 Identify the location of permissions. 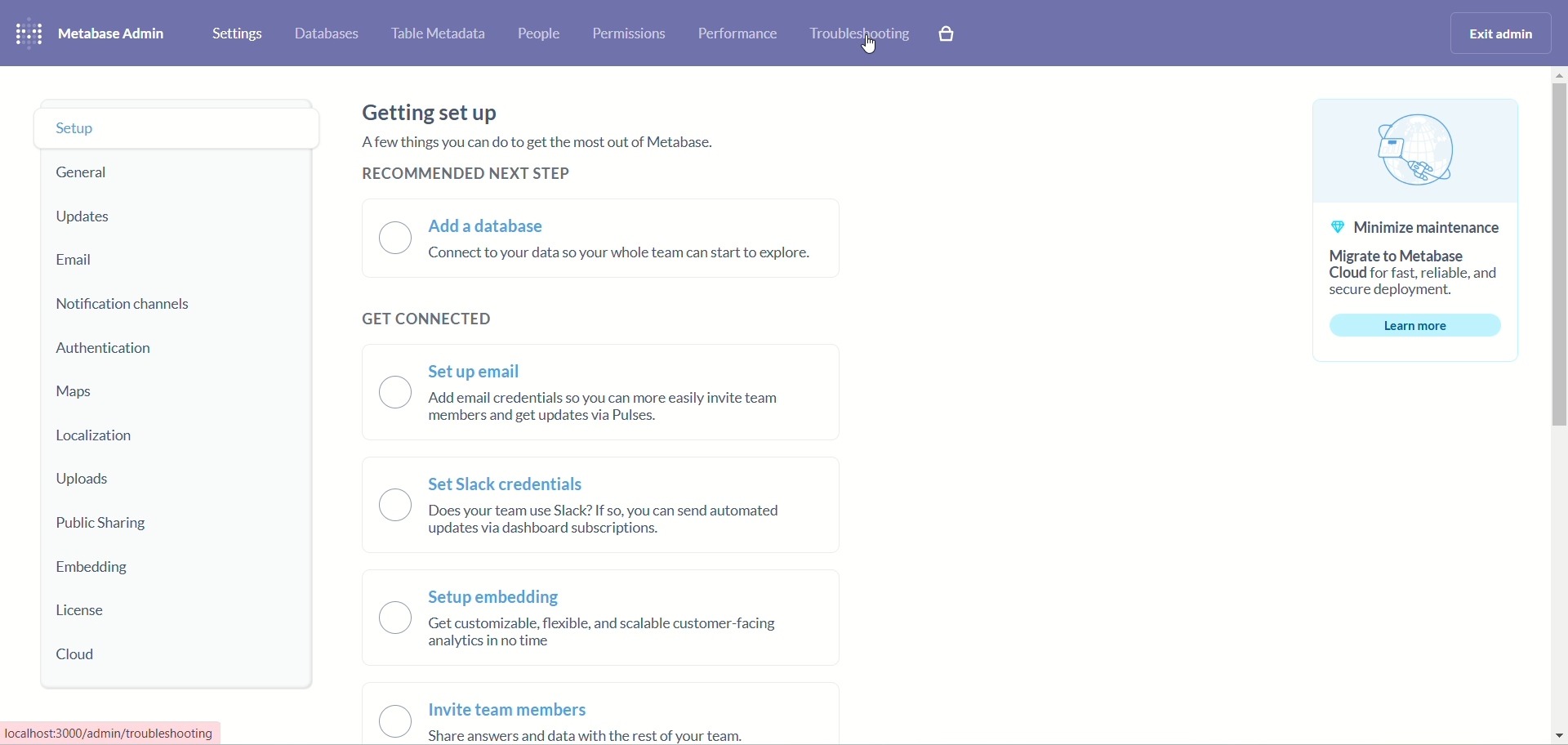
(628, 33).